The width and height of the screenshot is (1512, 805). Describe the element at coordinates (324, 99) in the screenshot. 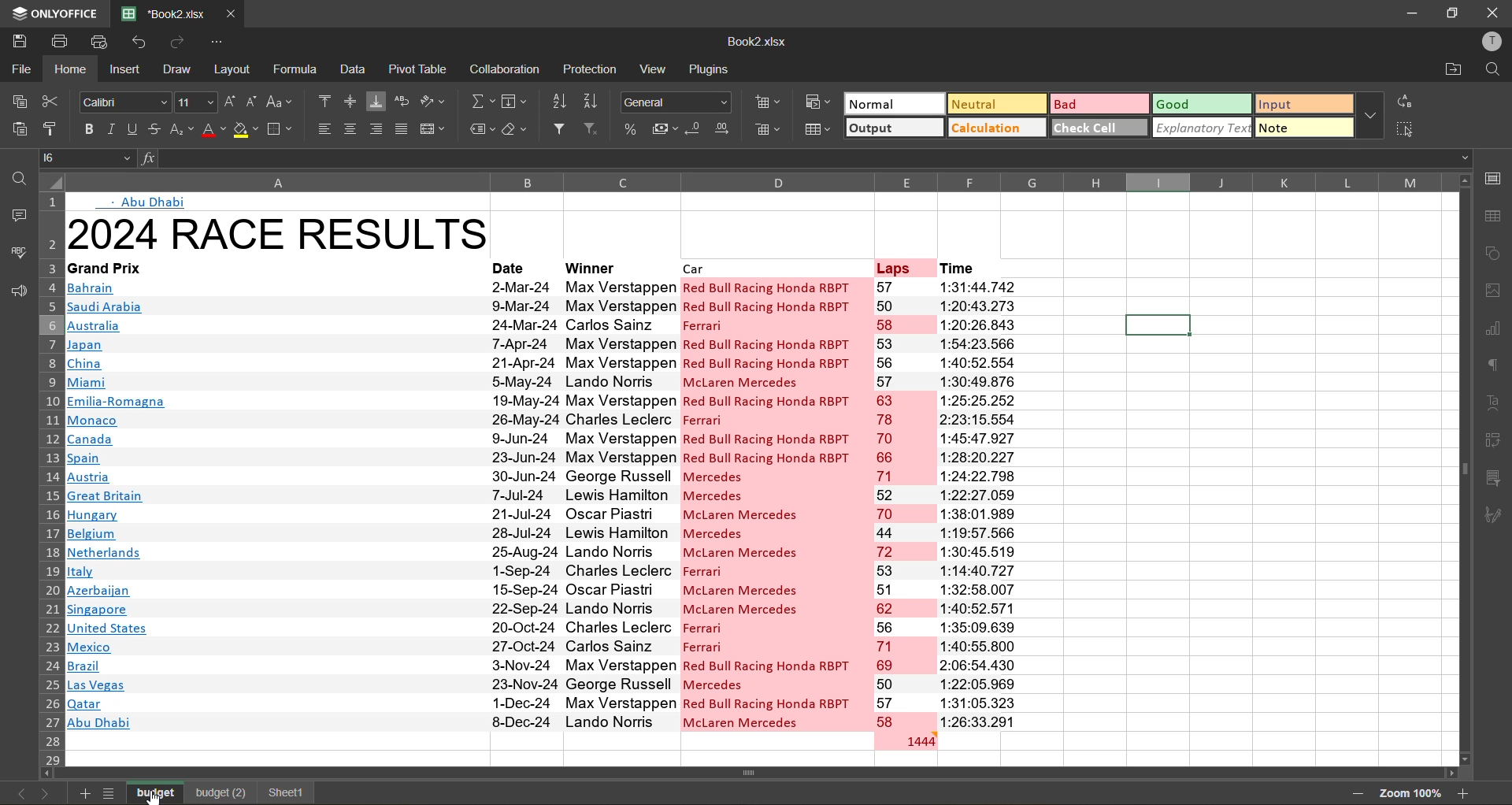

I see `align top` at that location.